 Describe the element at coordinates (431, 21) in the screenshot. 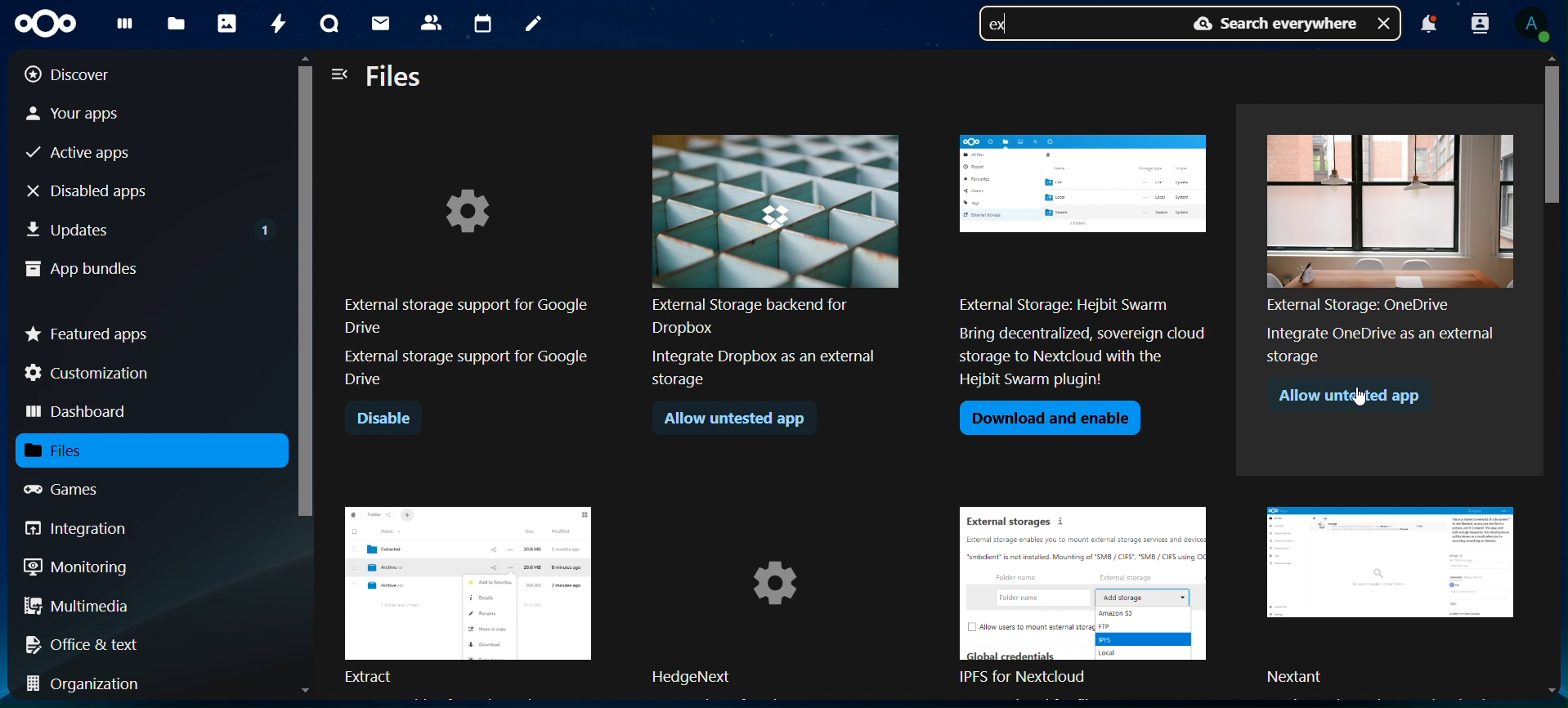

I see `contacts` at that location.